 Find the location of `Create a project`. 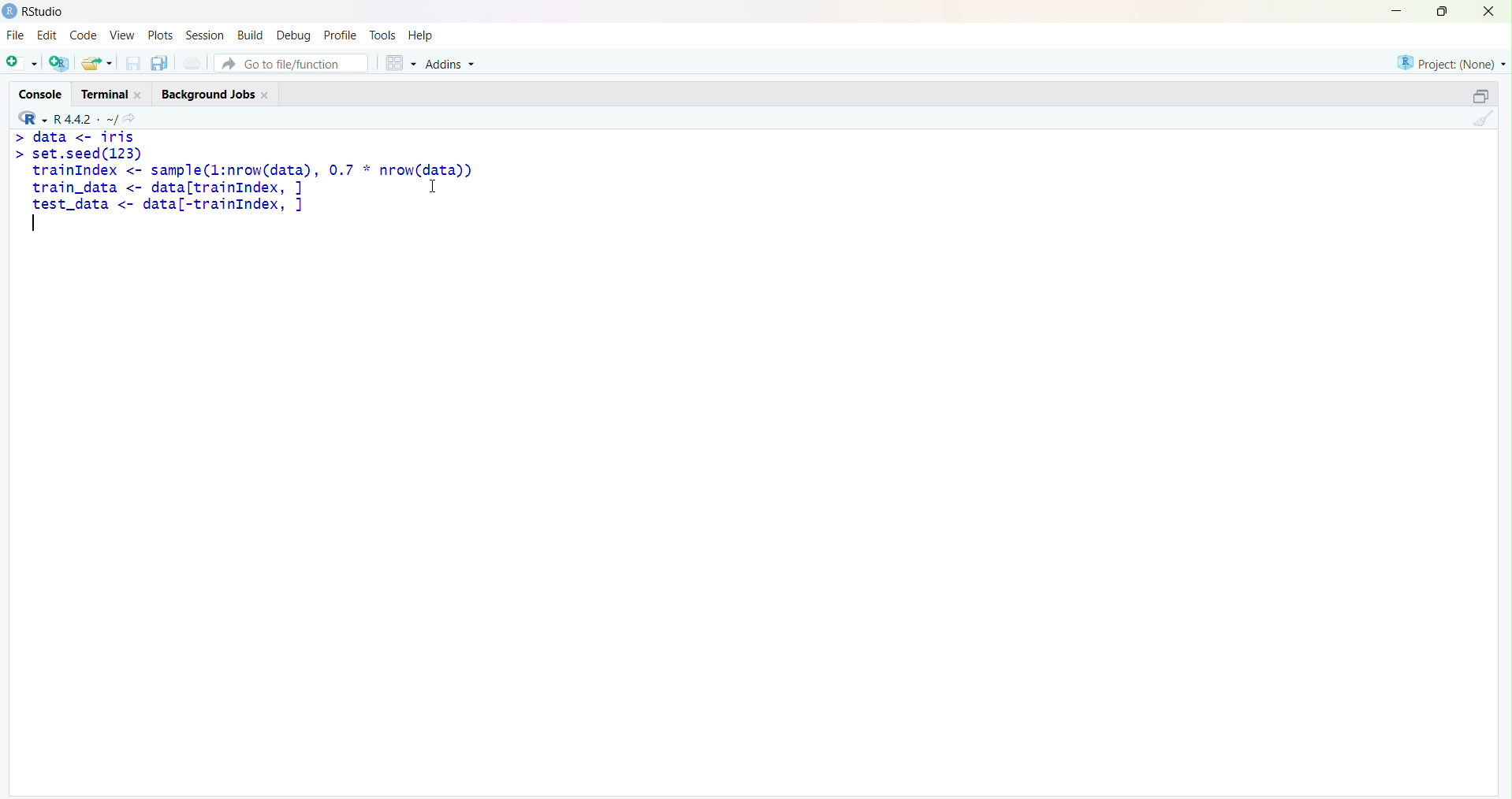

Create a project is located at coordinates (60, 61).